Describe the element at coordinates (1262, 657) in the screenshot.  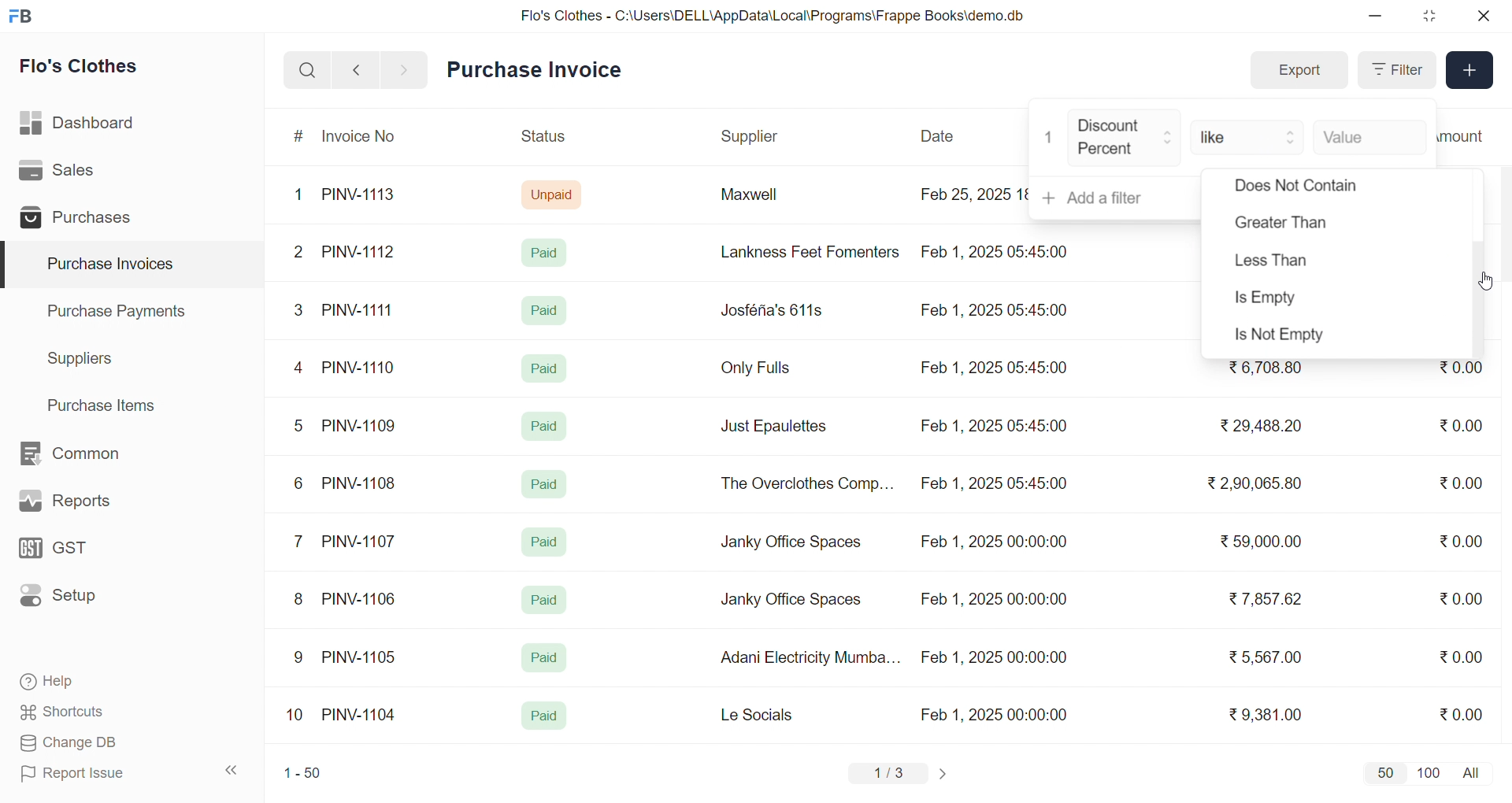
I see `₹ 5,567.00` at that location.